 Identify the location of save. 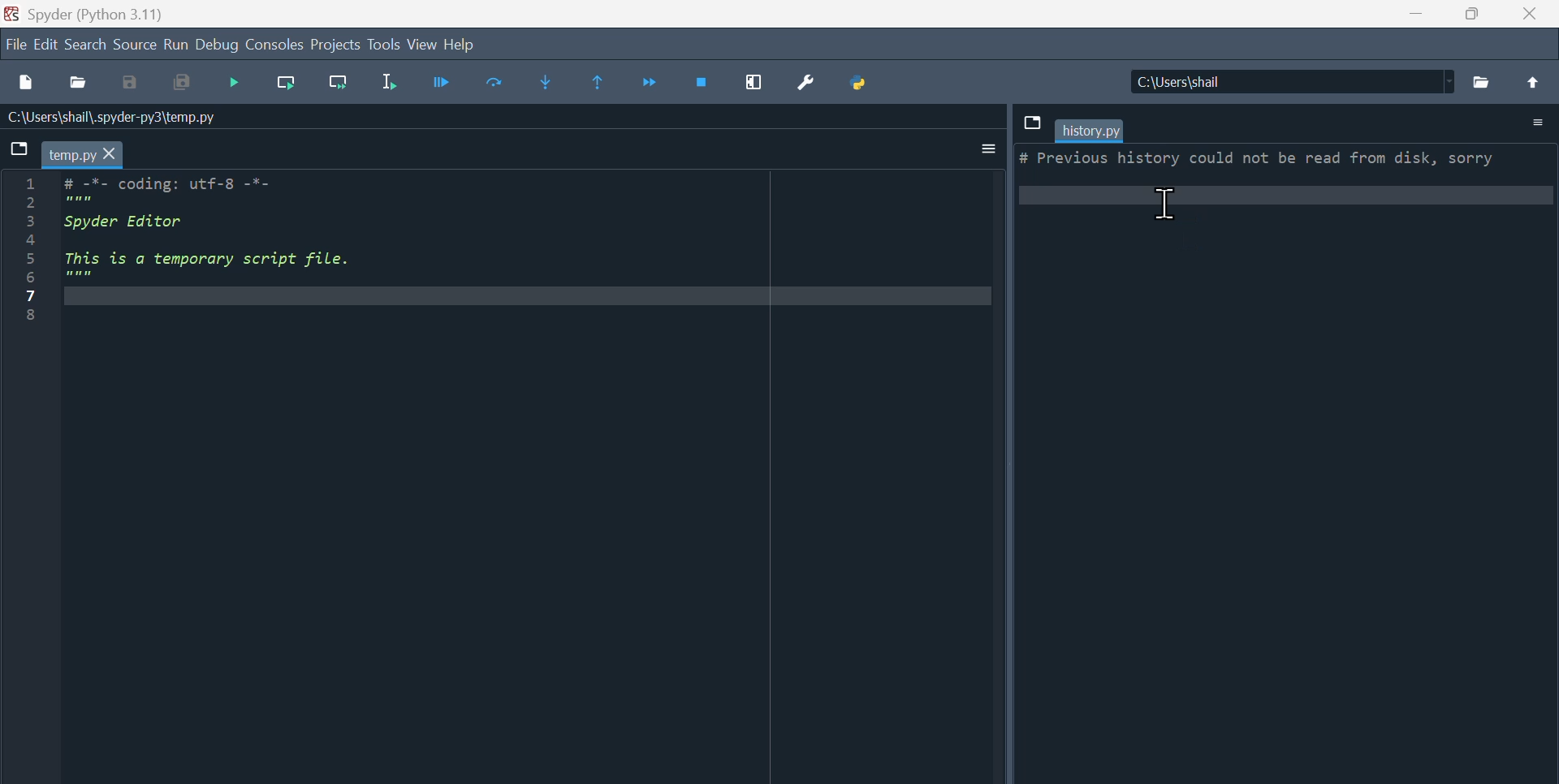
(129, 84).